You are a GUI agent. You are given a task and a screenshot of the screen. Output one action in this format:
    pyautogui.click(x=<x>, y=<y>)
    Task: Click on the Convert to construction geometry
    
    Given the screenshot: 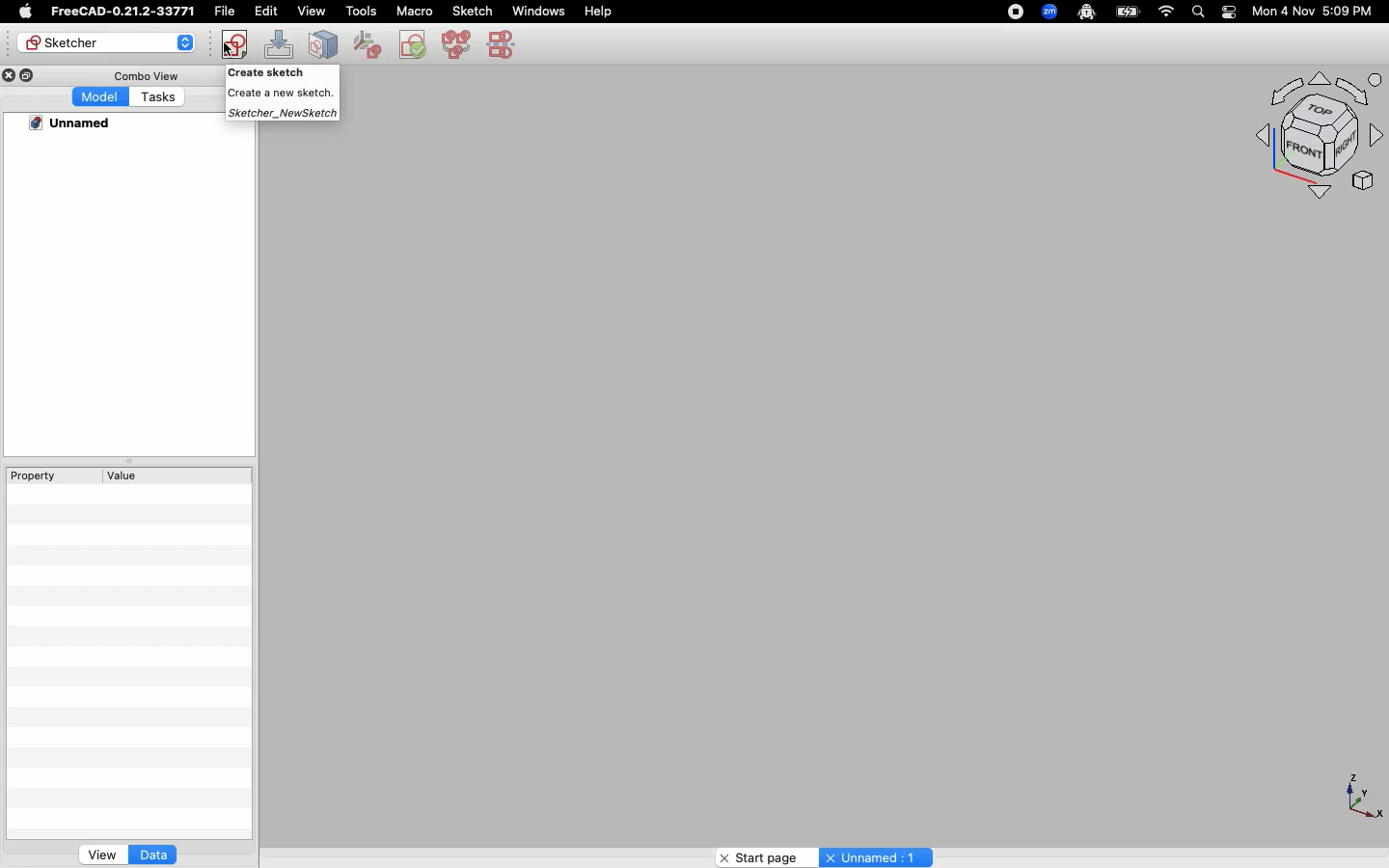 What is the action you would take?
    pyautogui.click(x=507, y=45)
    